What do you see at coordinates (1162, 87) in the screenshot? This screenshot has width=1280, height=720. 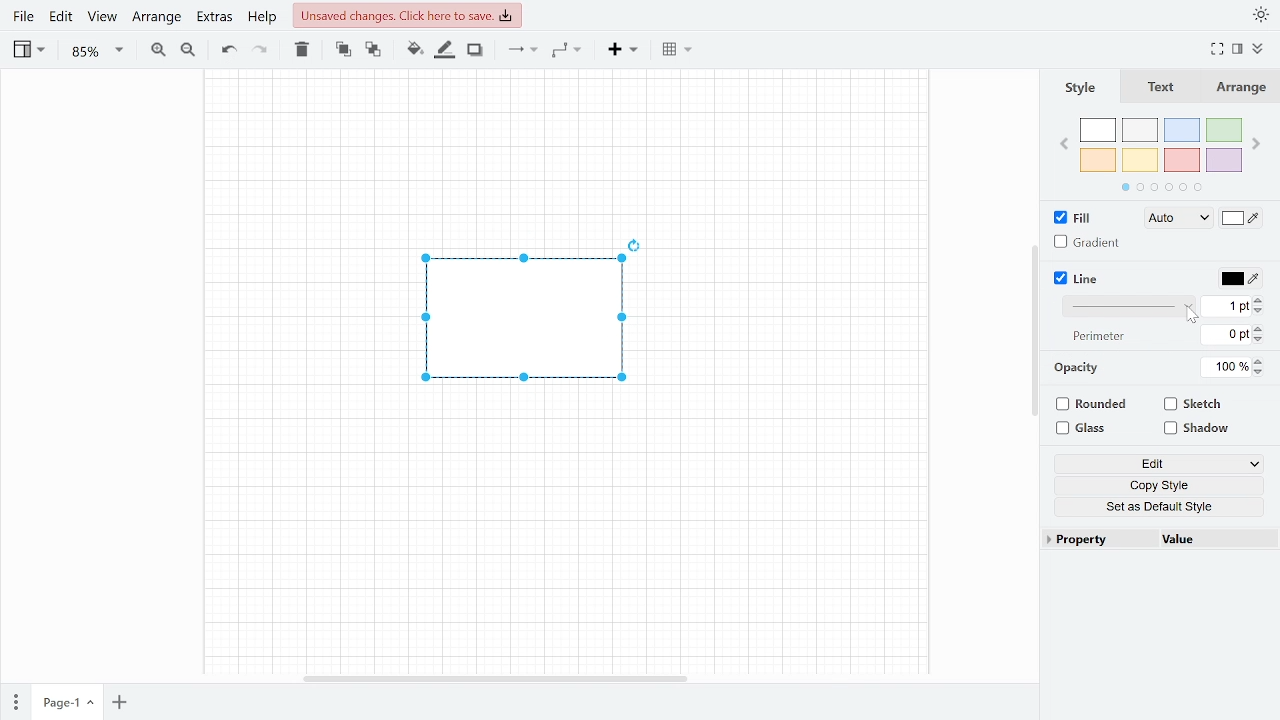 I see `text` at bounding box center [1162, 87].